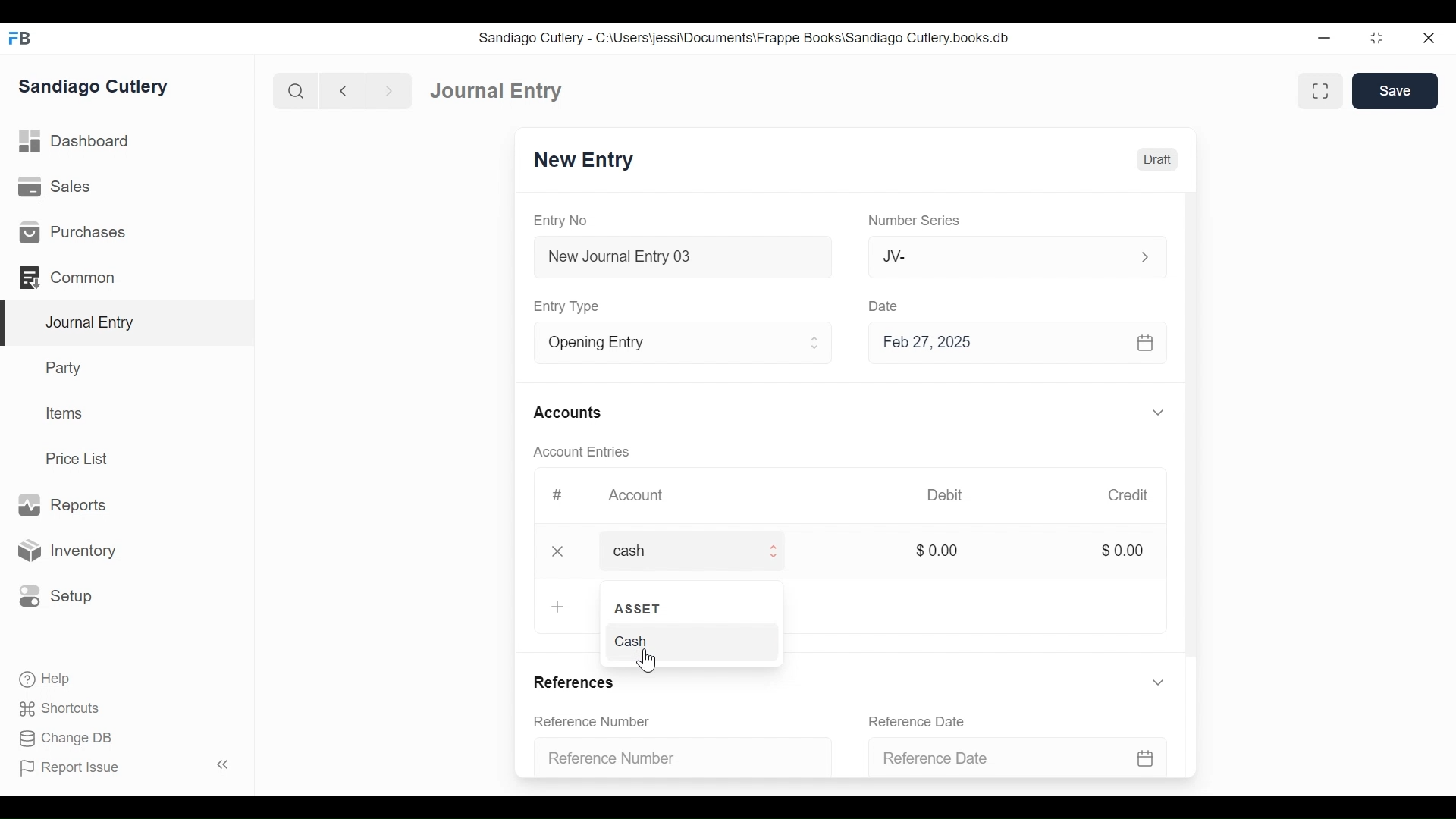 The height and width of the screenshot is (819, 1456). I want to click on Reference Date, so click(921, 720).